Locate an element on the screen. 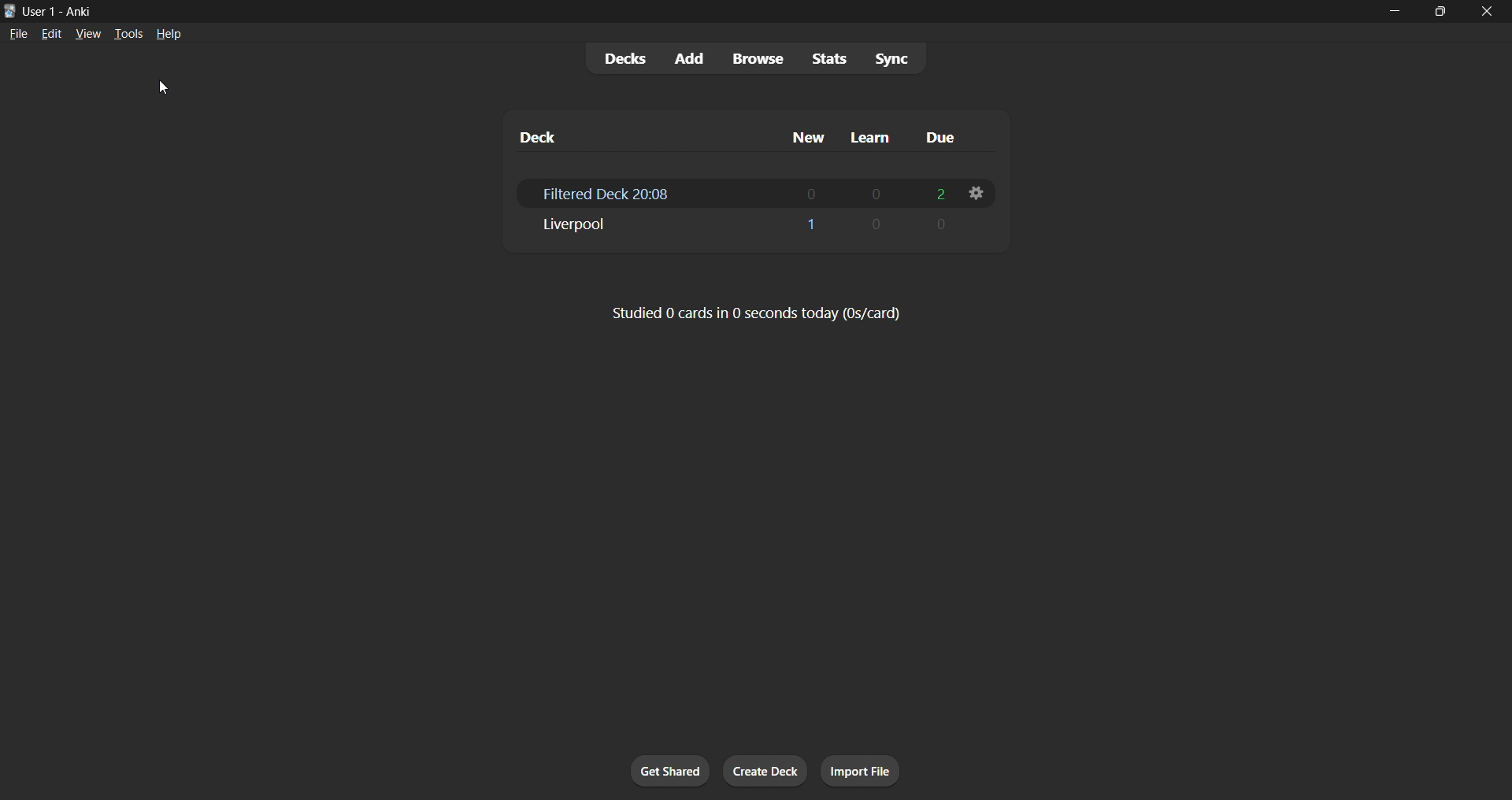 Image resolution: width=1512 pixels, height=800 pixels. 0 is located at coordinates (936, 226).